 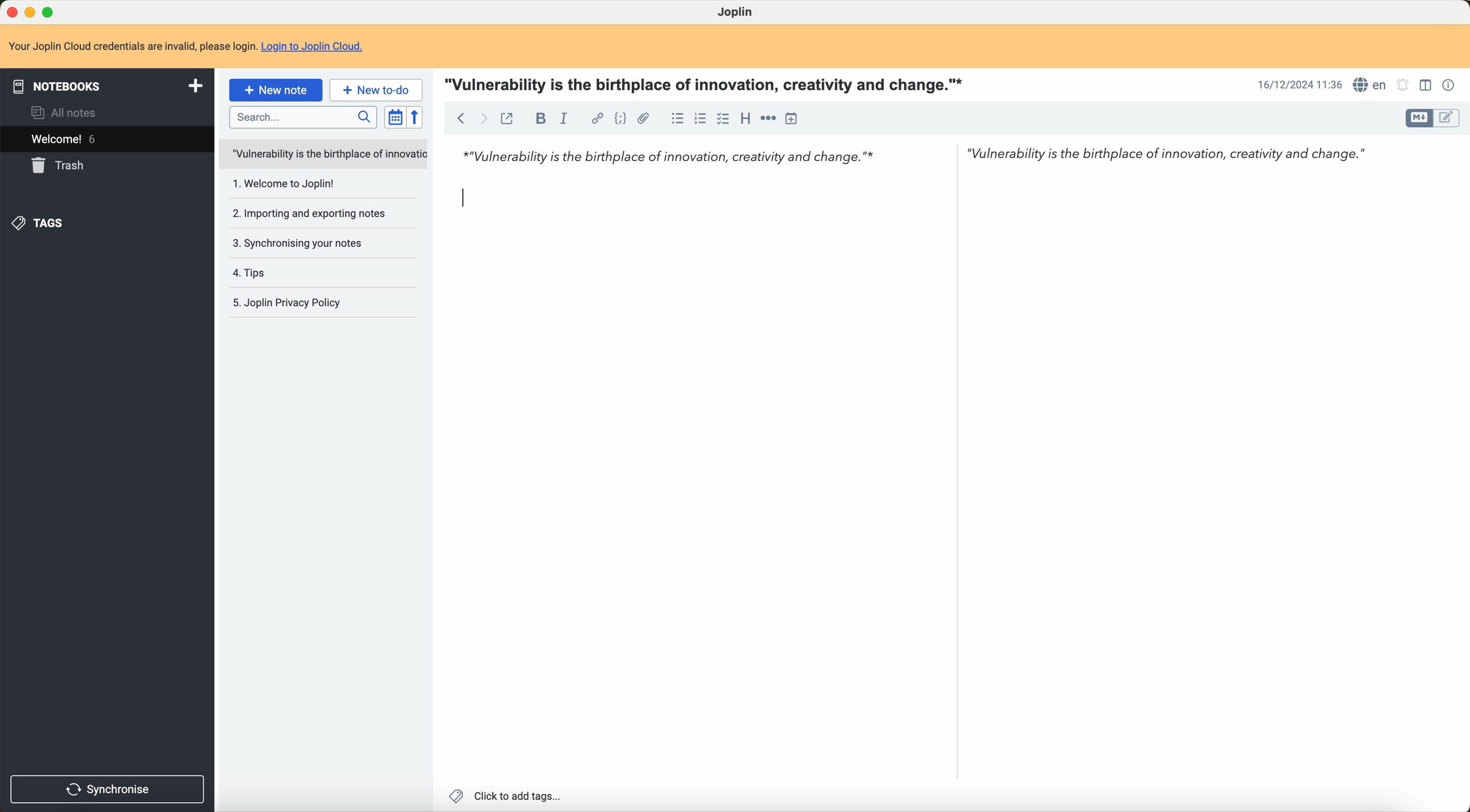 I want to click on search bar, so click(x=300, y=116).